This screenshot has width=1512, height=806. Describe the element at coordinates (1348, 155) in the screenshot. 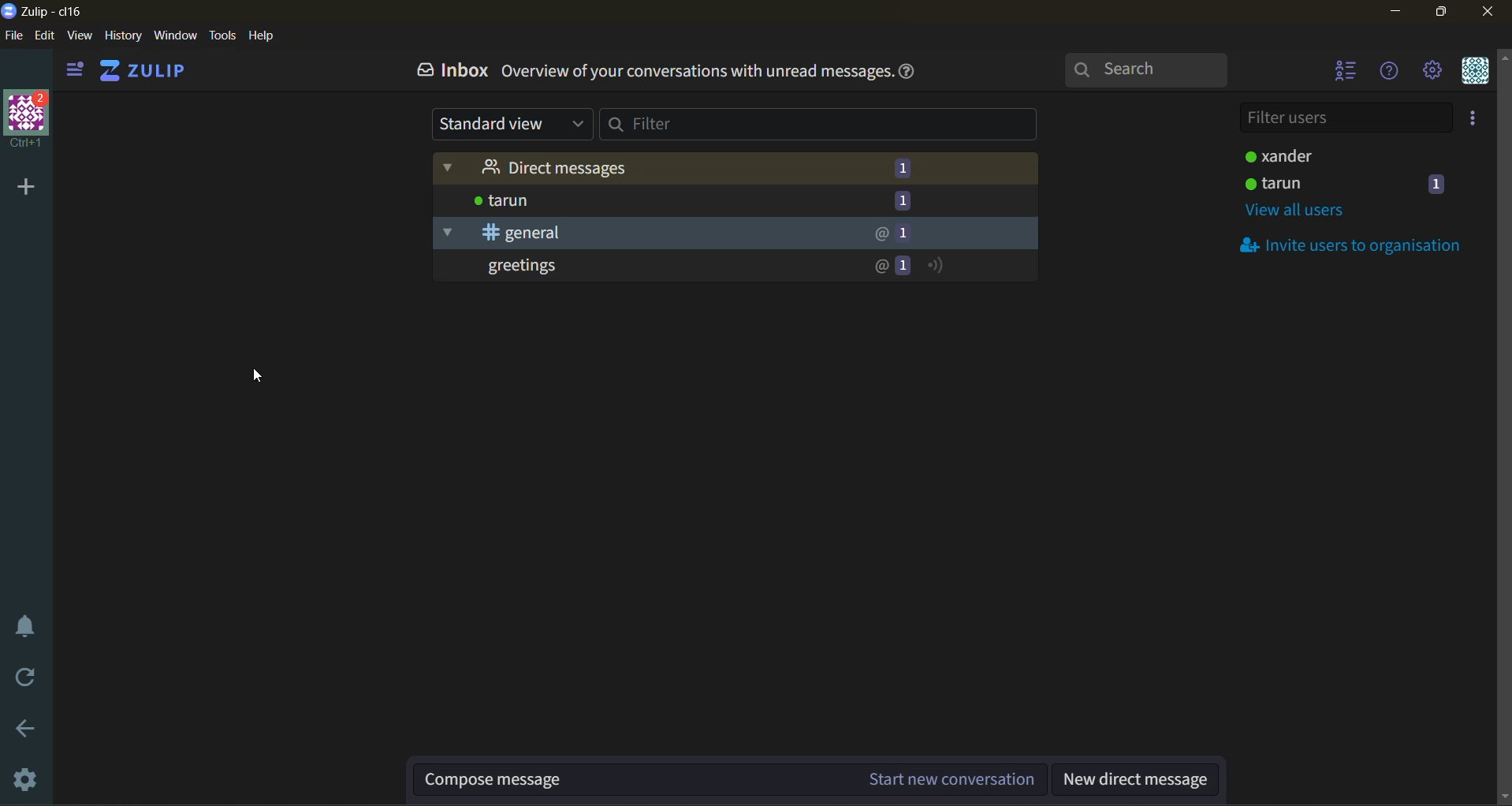

I see `users and status` at that location.